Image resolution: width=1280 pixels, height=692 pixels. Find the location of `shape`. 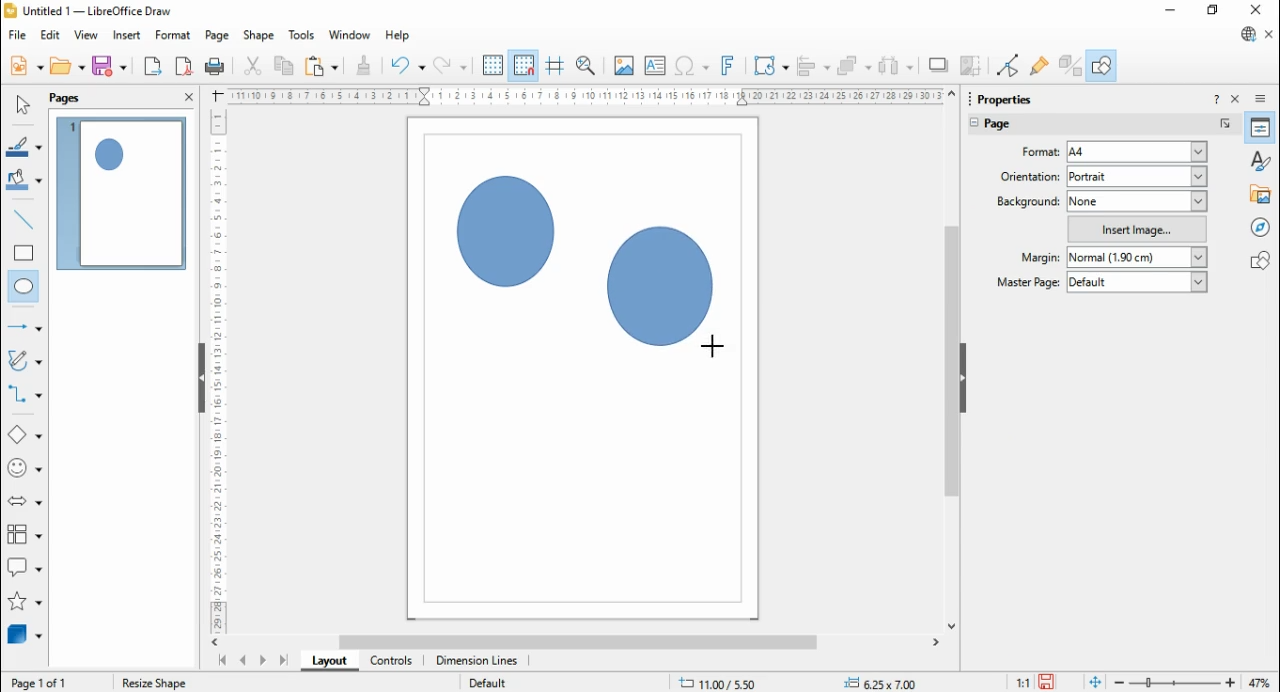

shape is located at coordinates (258, 36).